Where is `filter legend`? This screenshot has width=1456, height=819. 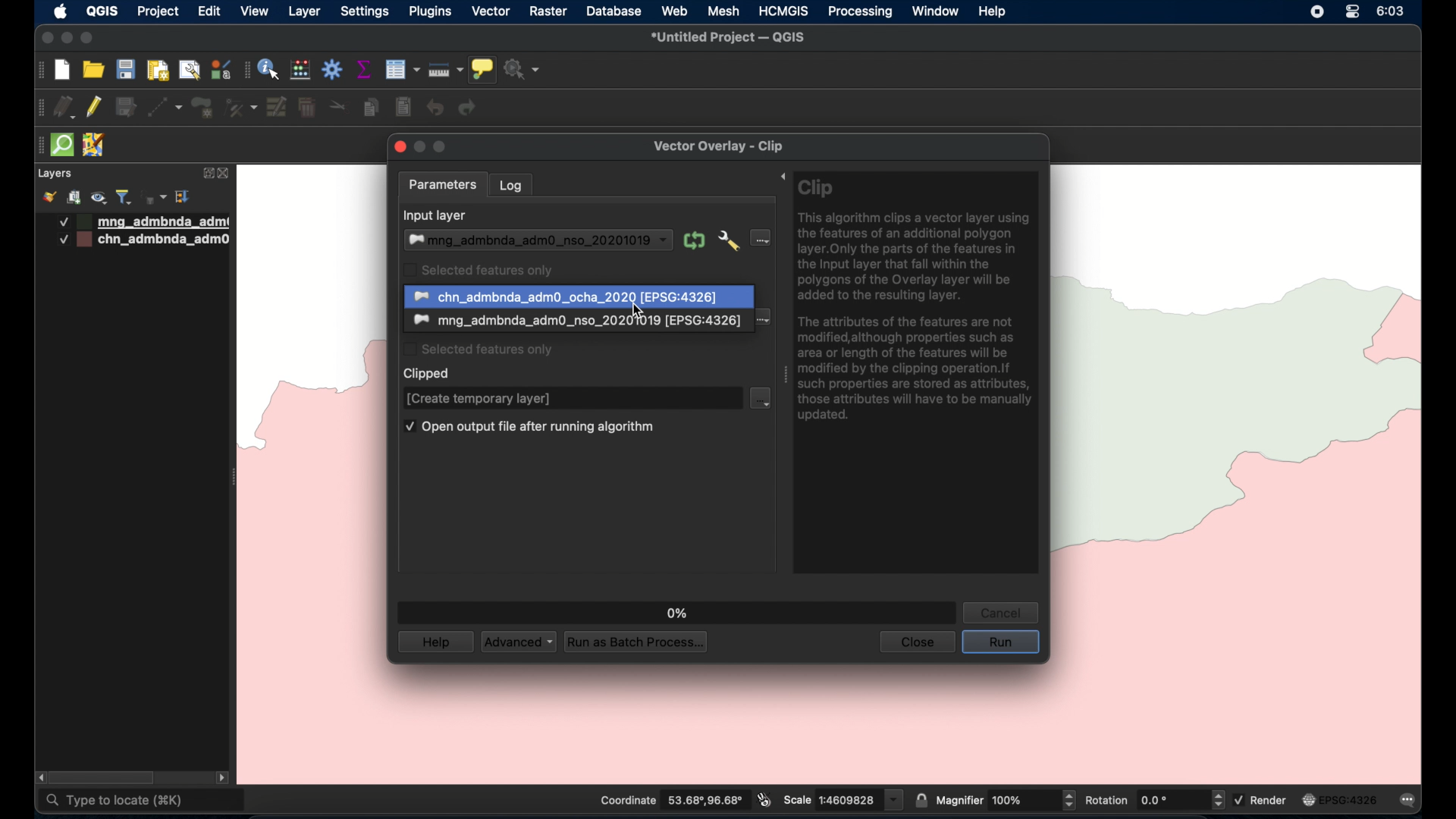 filter legend is located at coordinates (124, 197).